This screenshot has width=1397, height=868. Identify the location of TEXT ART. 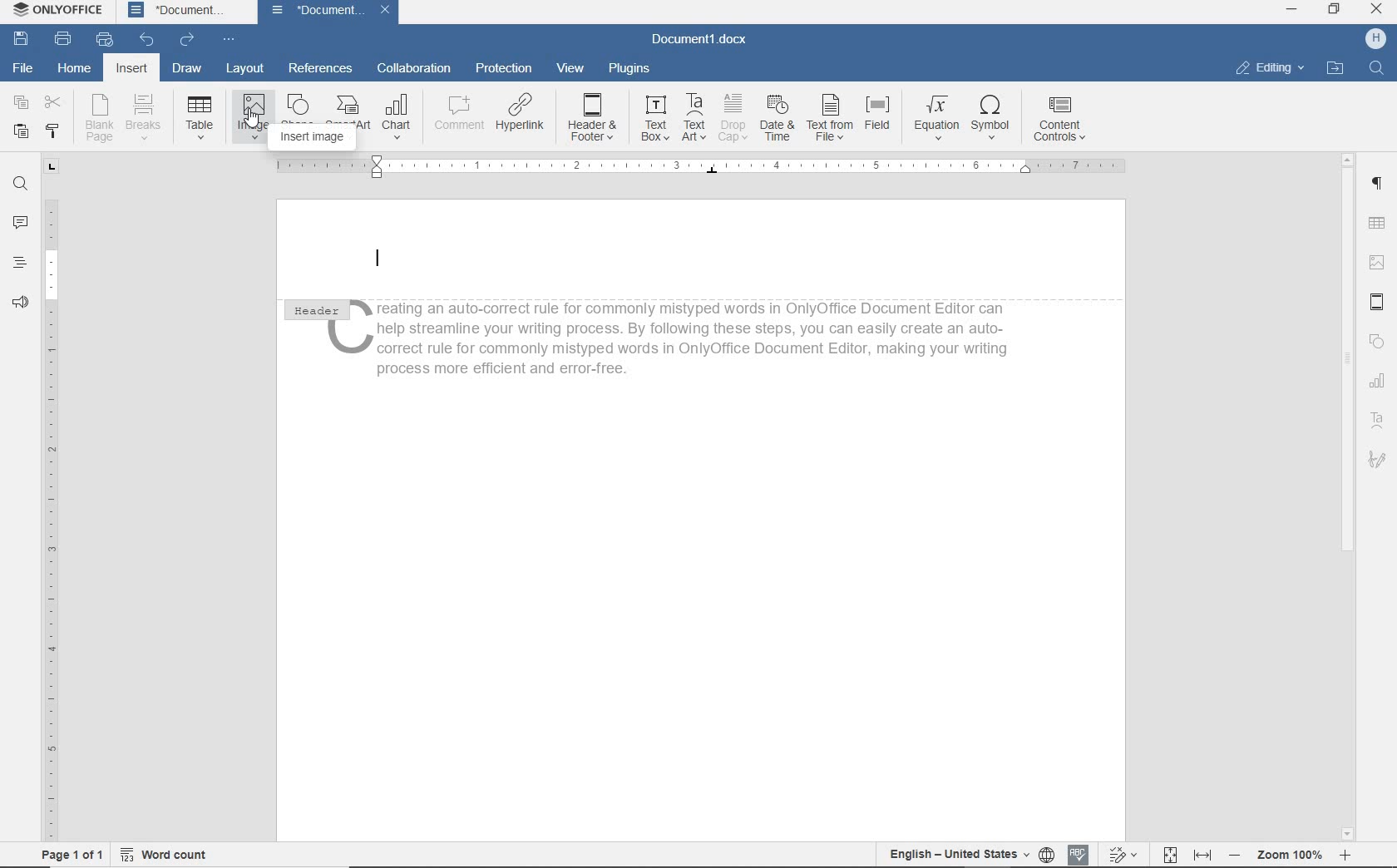
(694, 121).